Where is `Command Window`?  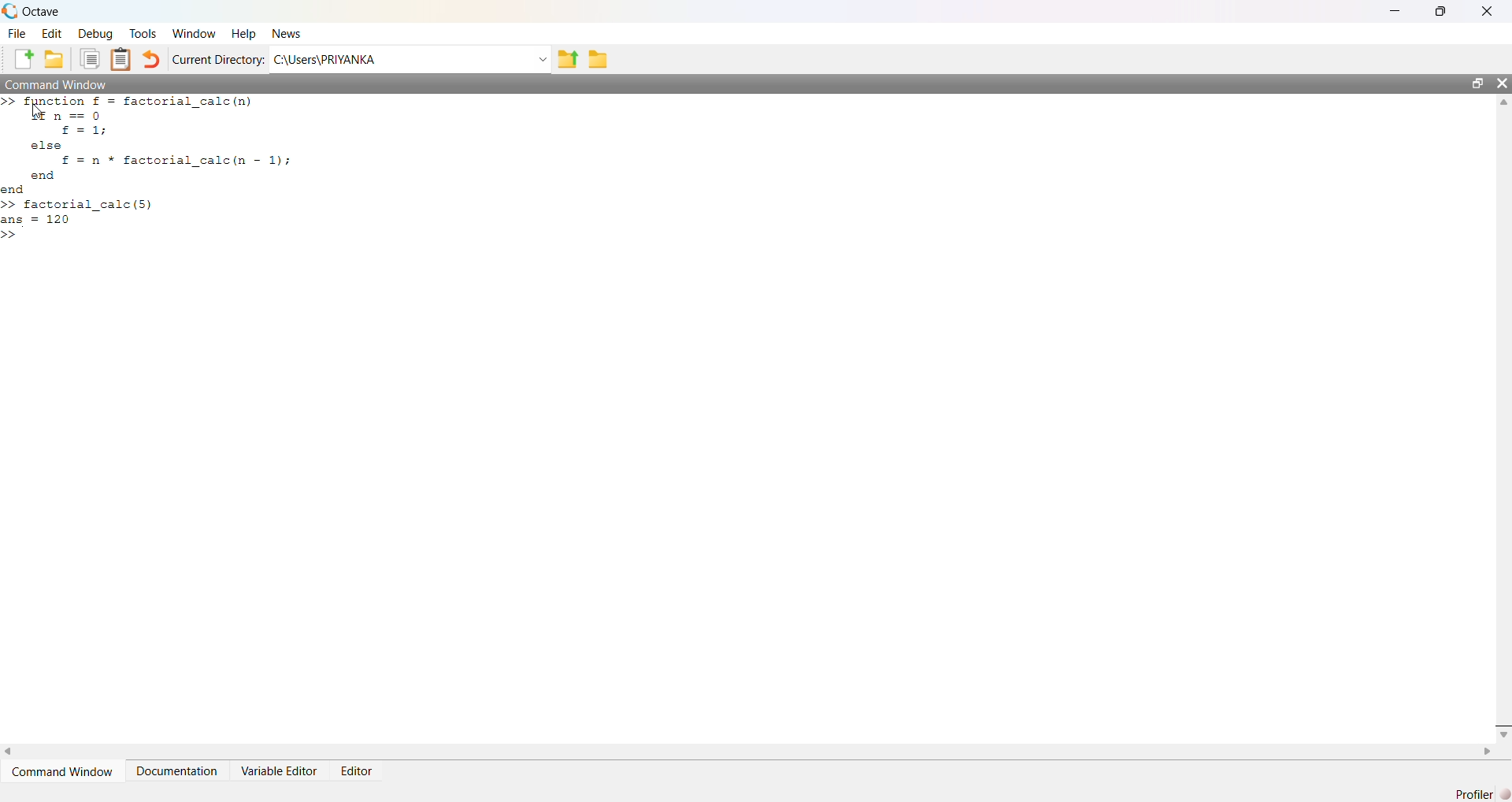
Command Window is located at coordinates (65, 771).